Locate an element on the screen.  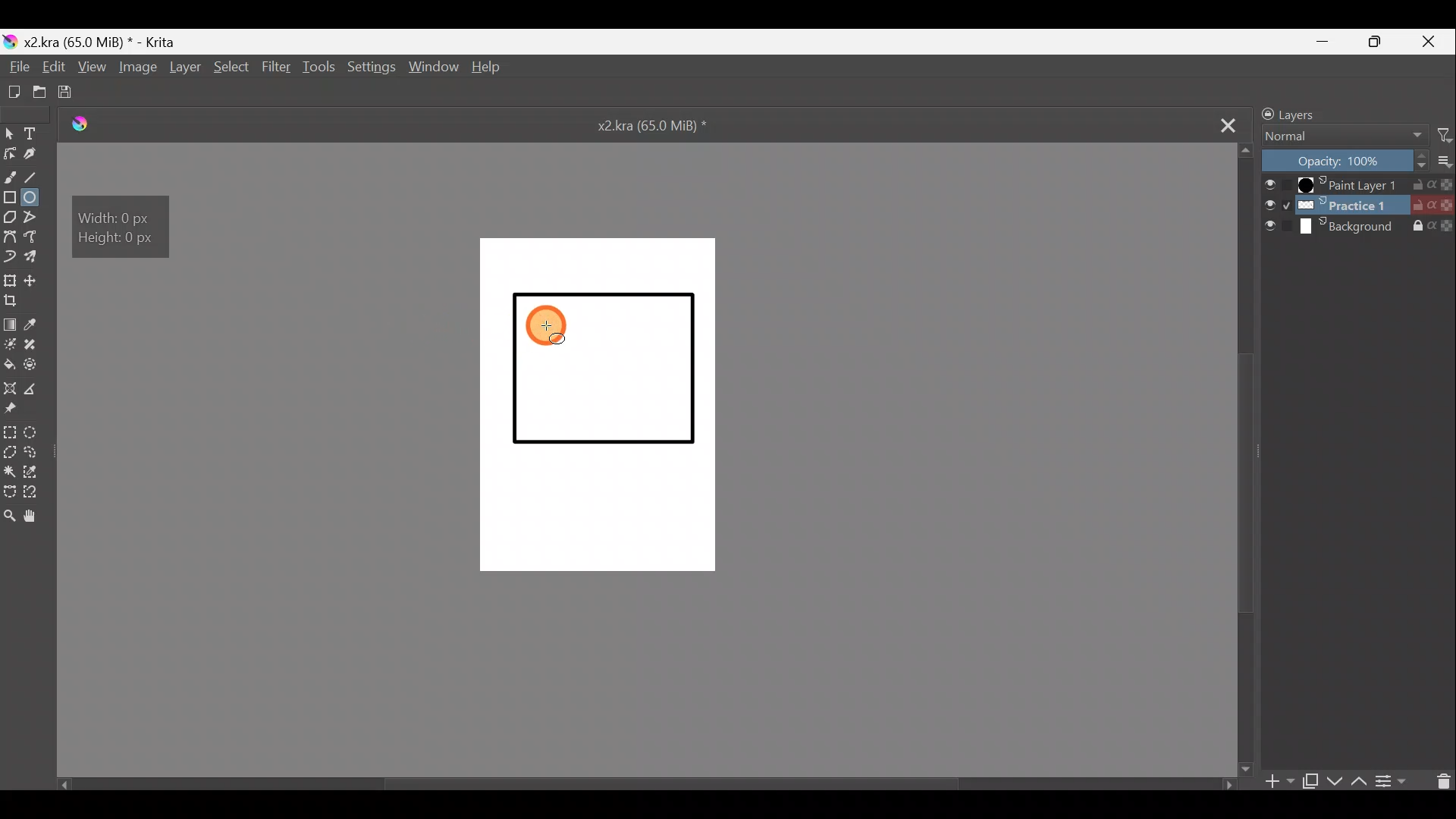
Practice 1 is located at coordinates (1359, 206).